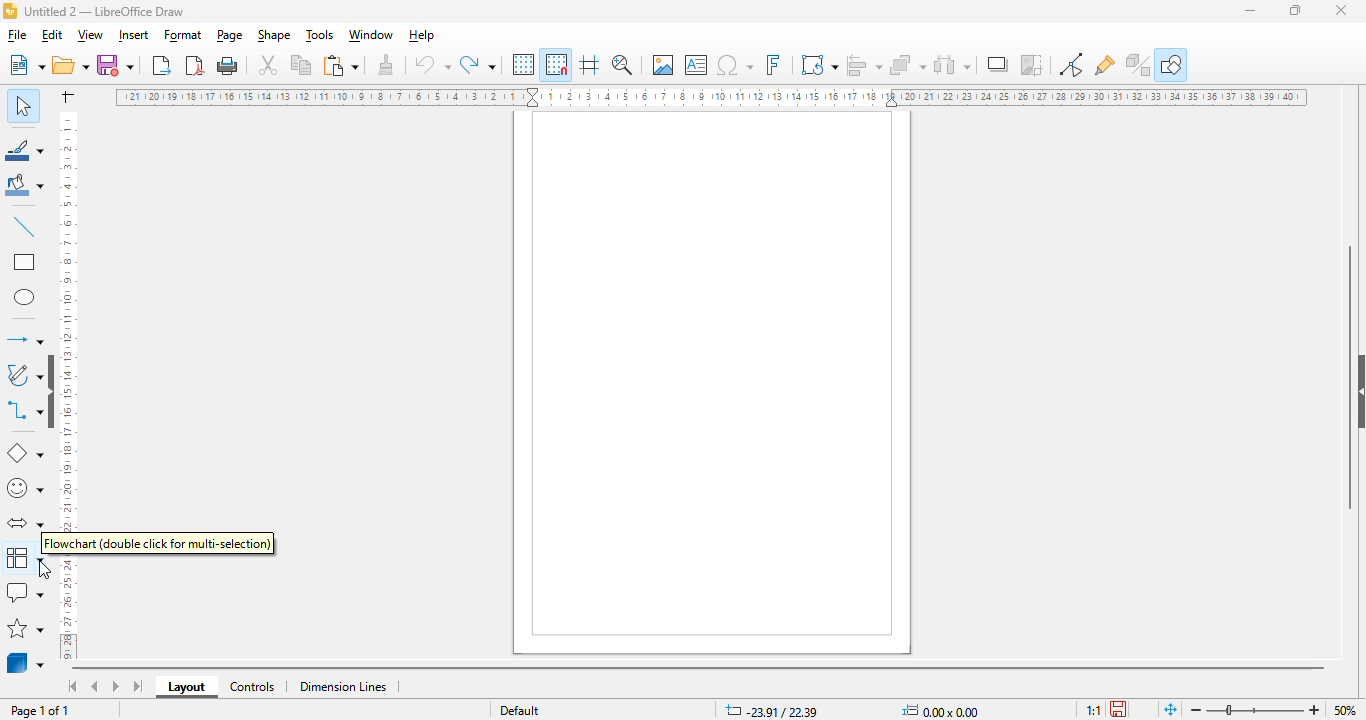 The image size is (1366, 720). I want to click on edit, so click(53, 35).